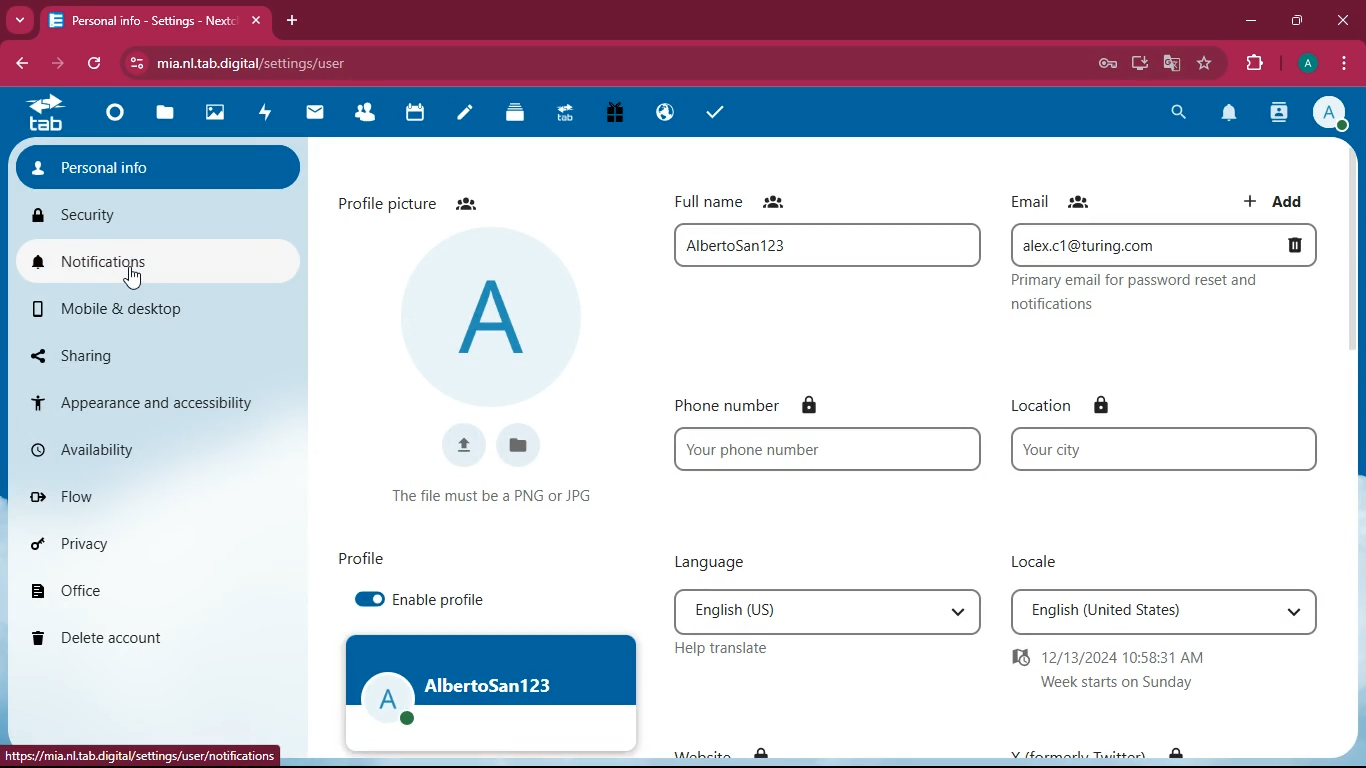 This screenshot has height=768, width=1366. What do you see at coordinates (1280, 112) in the screenshot?
I see `activity` at bounding box center [1280, 112].